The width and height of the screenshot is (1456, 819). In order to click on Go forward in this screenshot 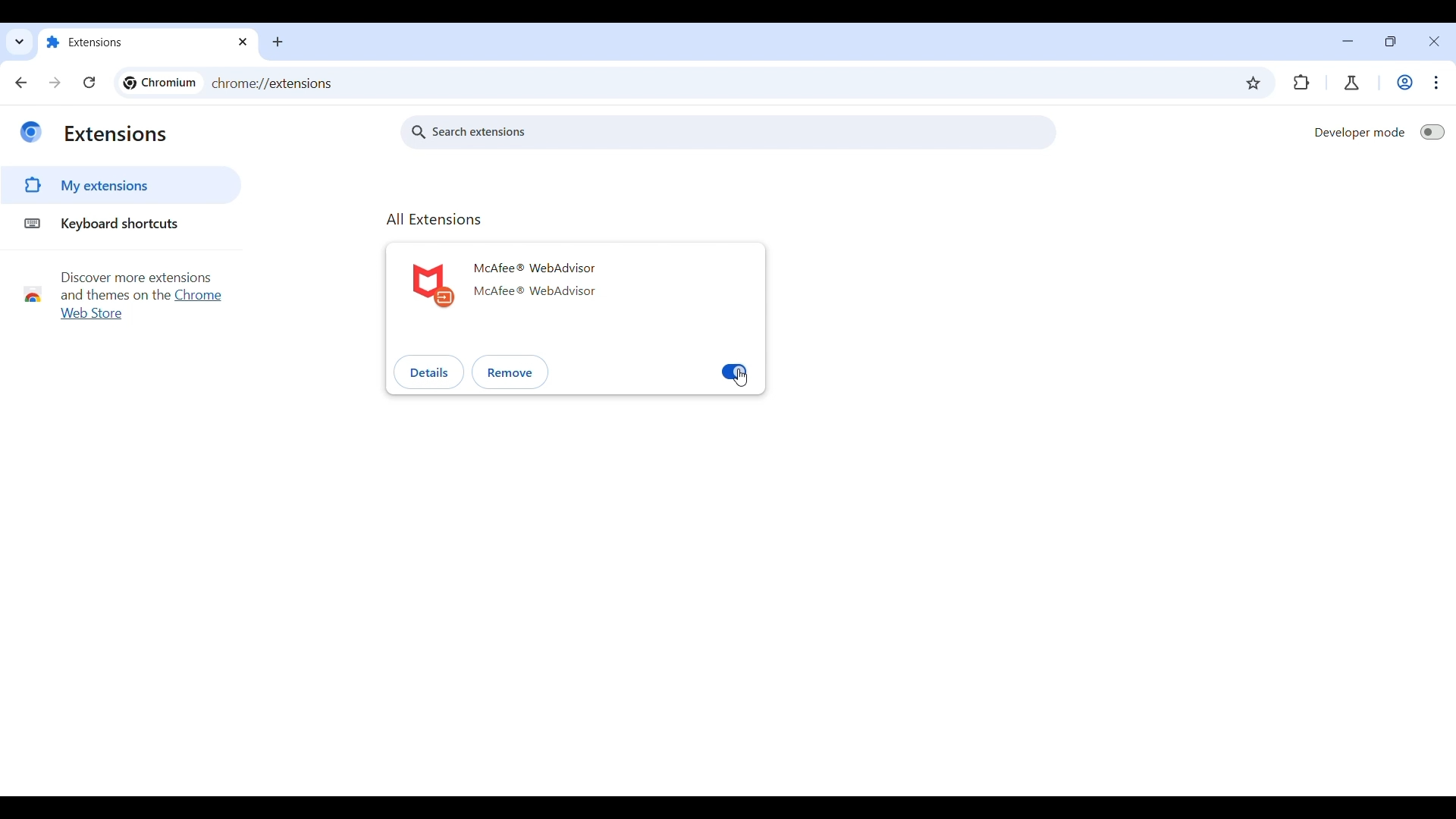, I will do `click(55, 83)`.